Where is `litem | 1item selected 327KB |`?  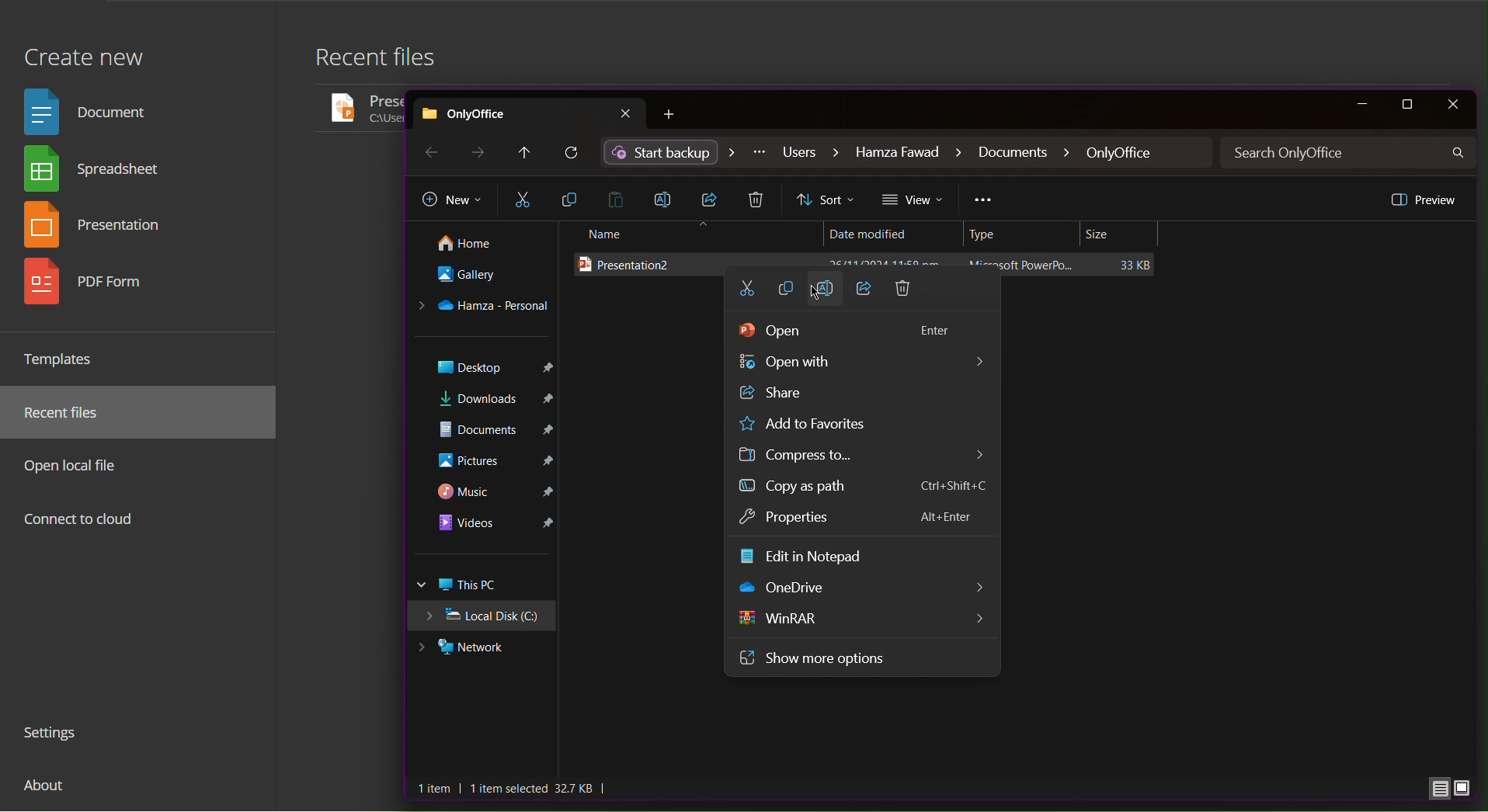 litem | 1item selected 327KB | is located at coordinates (514, 789).